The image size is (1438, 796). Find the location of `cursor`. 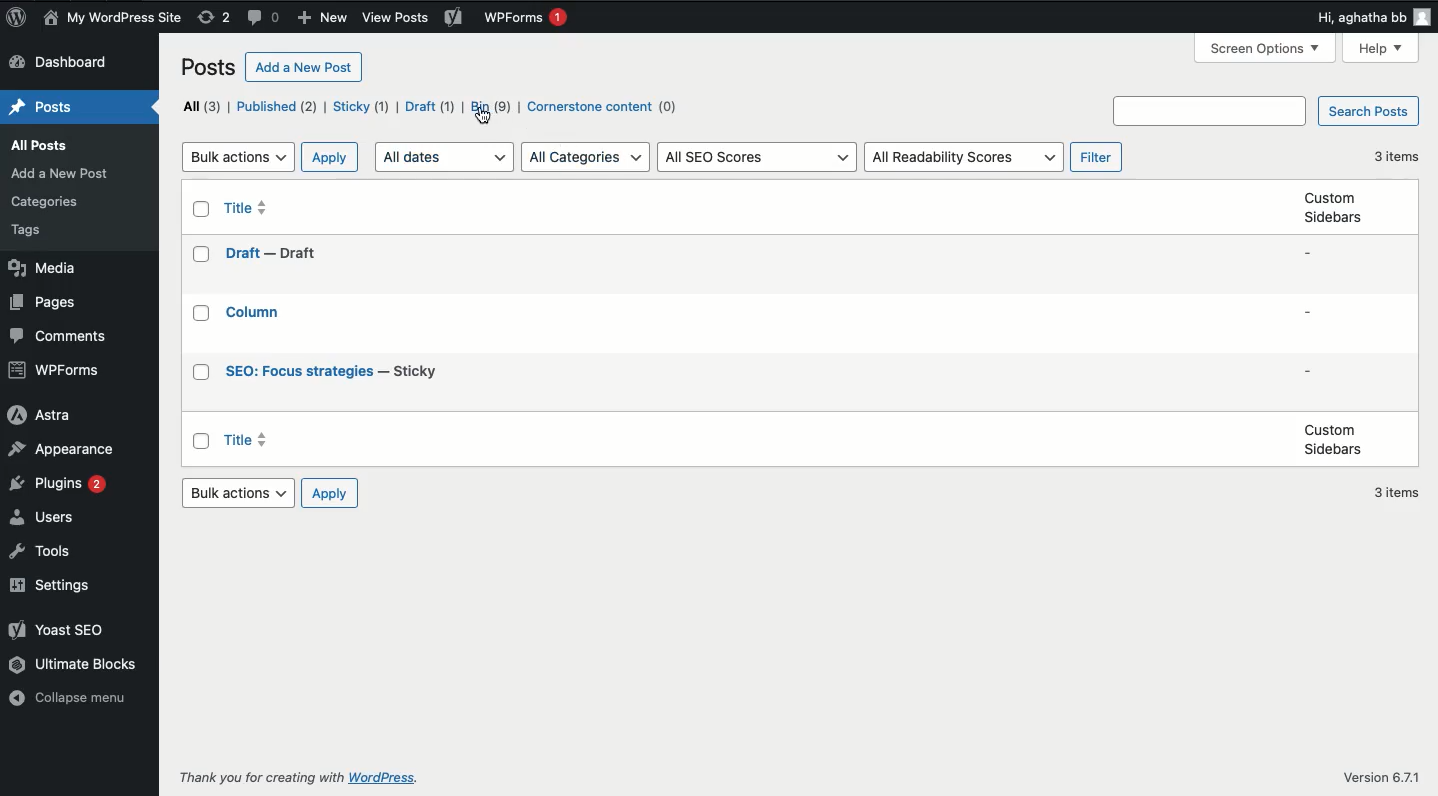

cursor is located at coordinates (486, 115).